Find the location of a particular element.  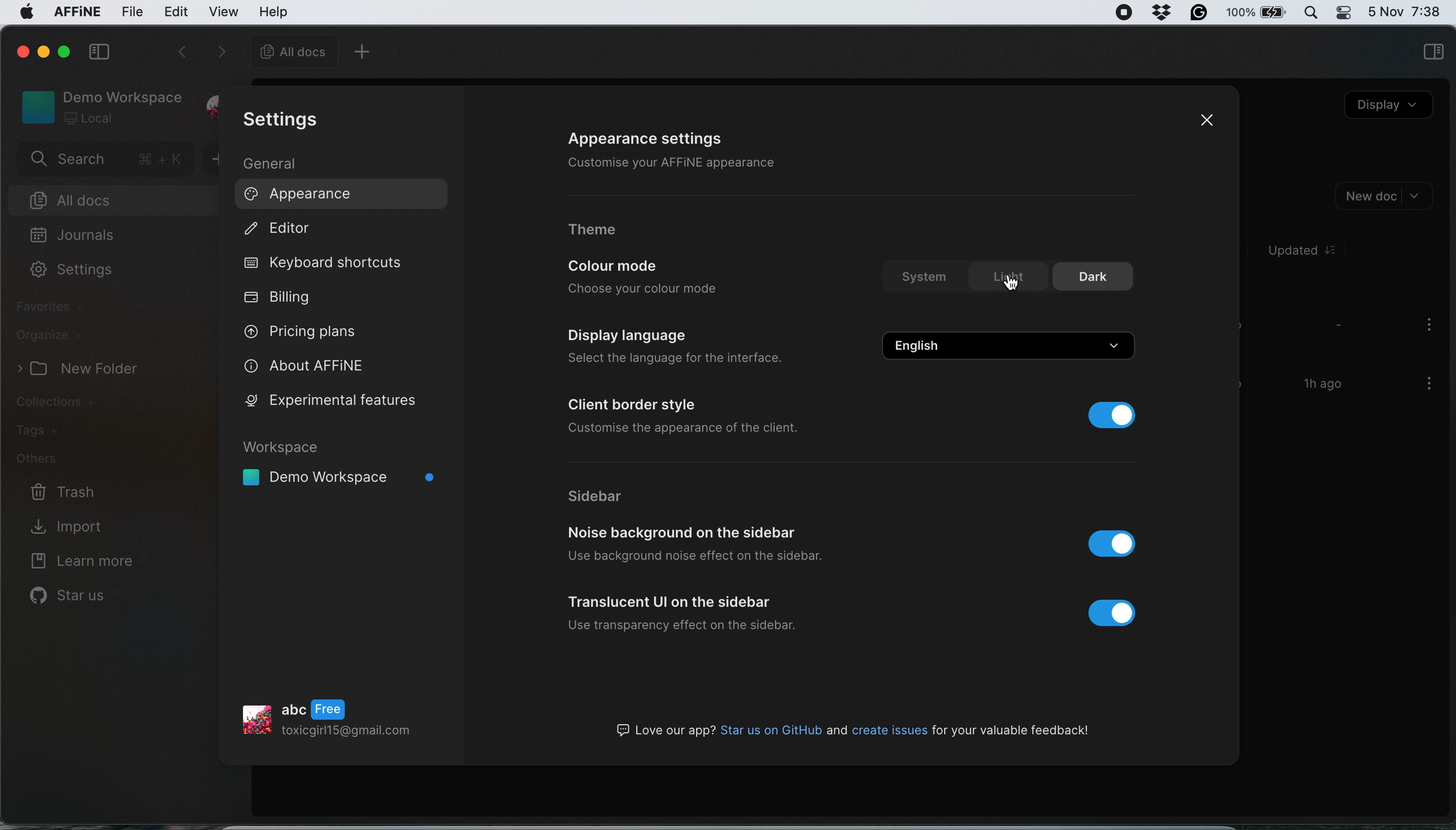

light is located at coordinates (1008, 277).